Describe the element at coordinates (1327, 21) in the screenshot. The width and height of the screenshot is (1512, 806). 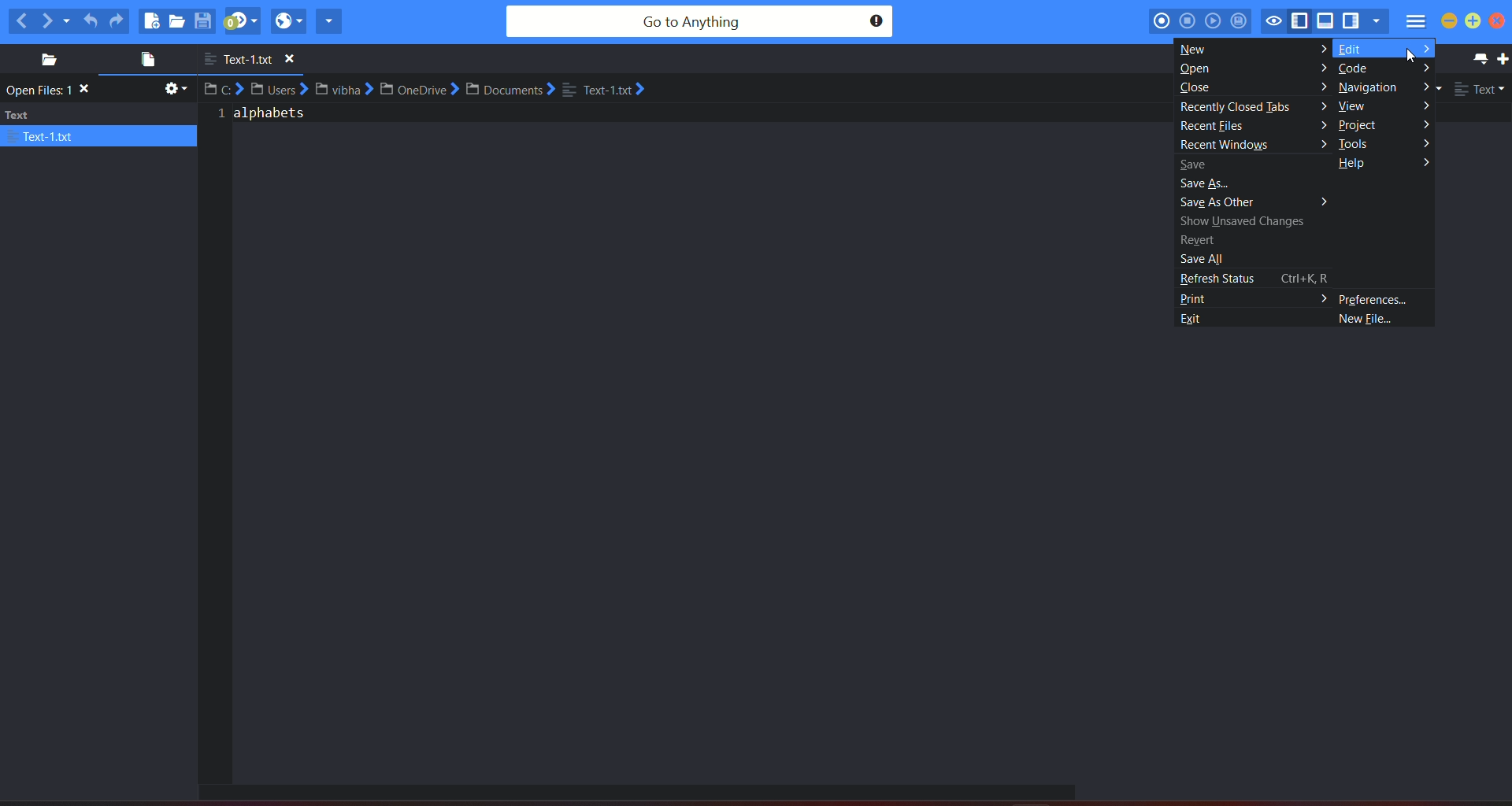
I see `show/hide bottom pane` at that location.